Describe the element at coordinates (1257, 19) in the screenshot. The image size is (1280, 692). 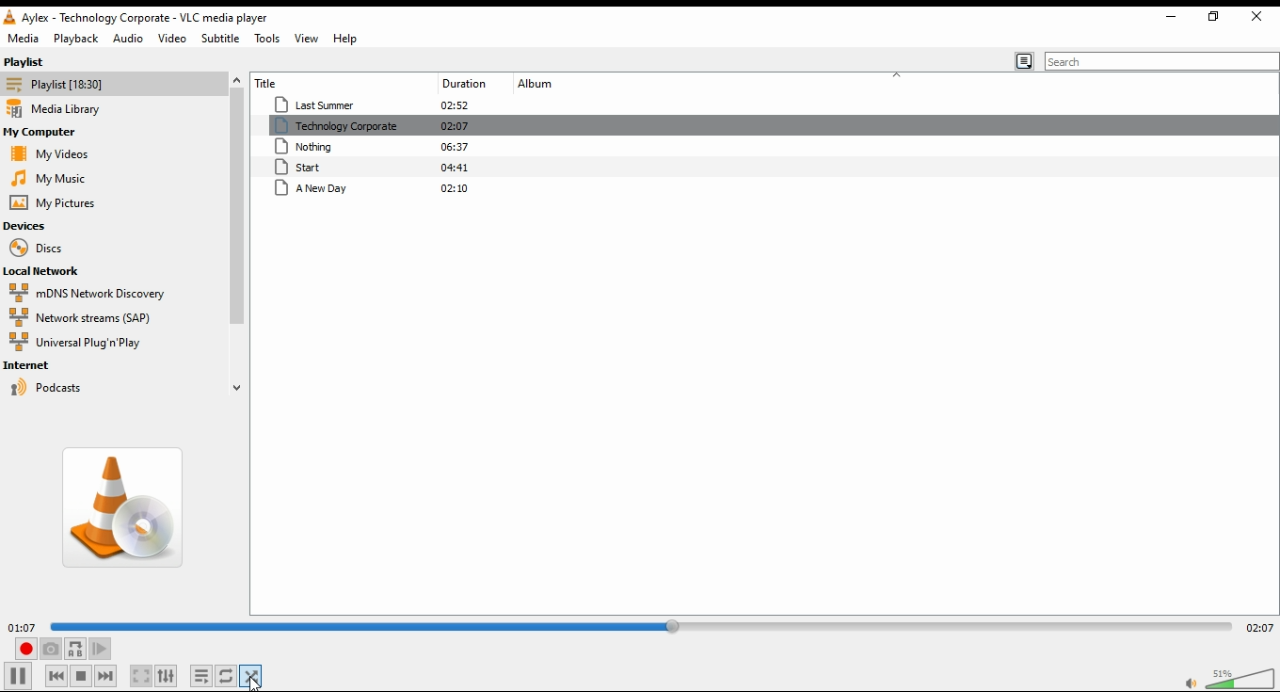
I see `close window` at that location.